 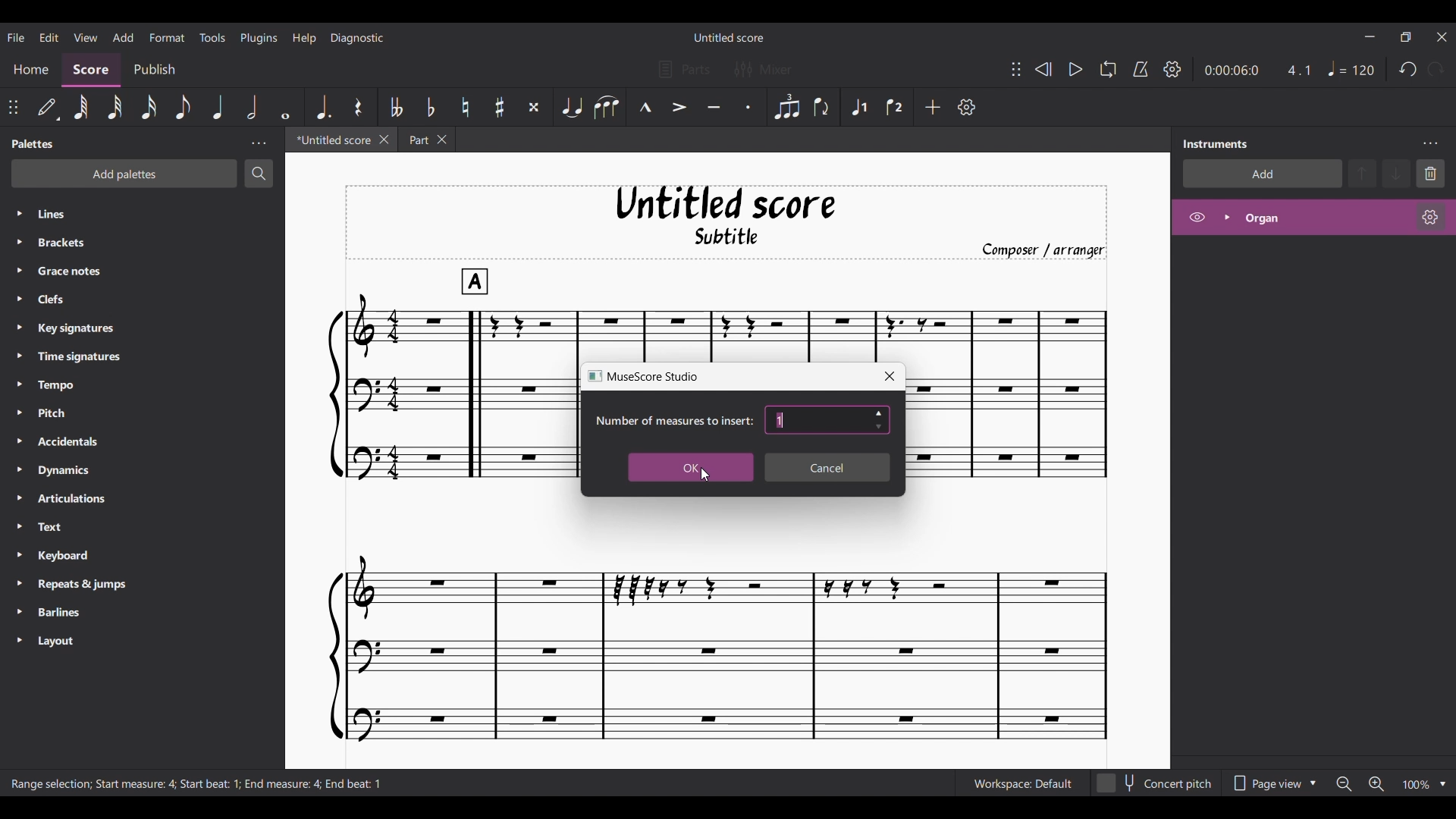 I want to click on Untitled tab, so click(x=331, y=140).